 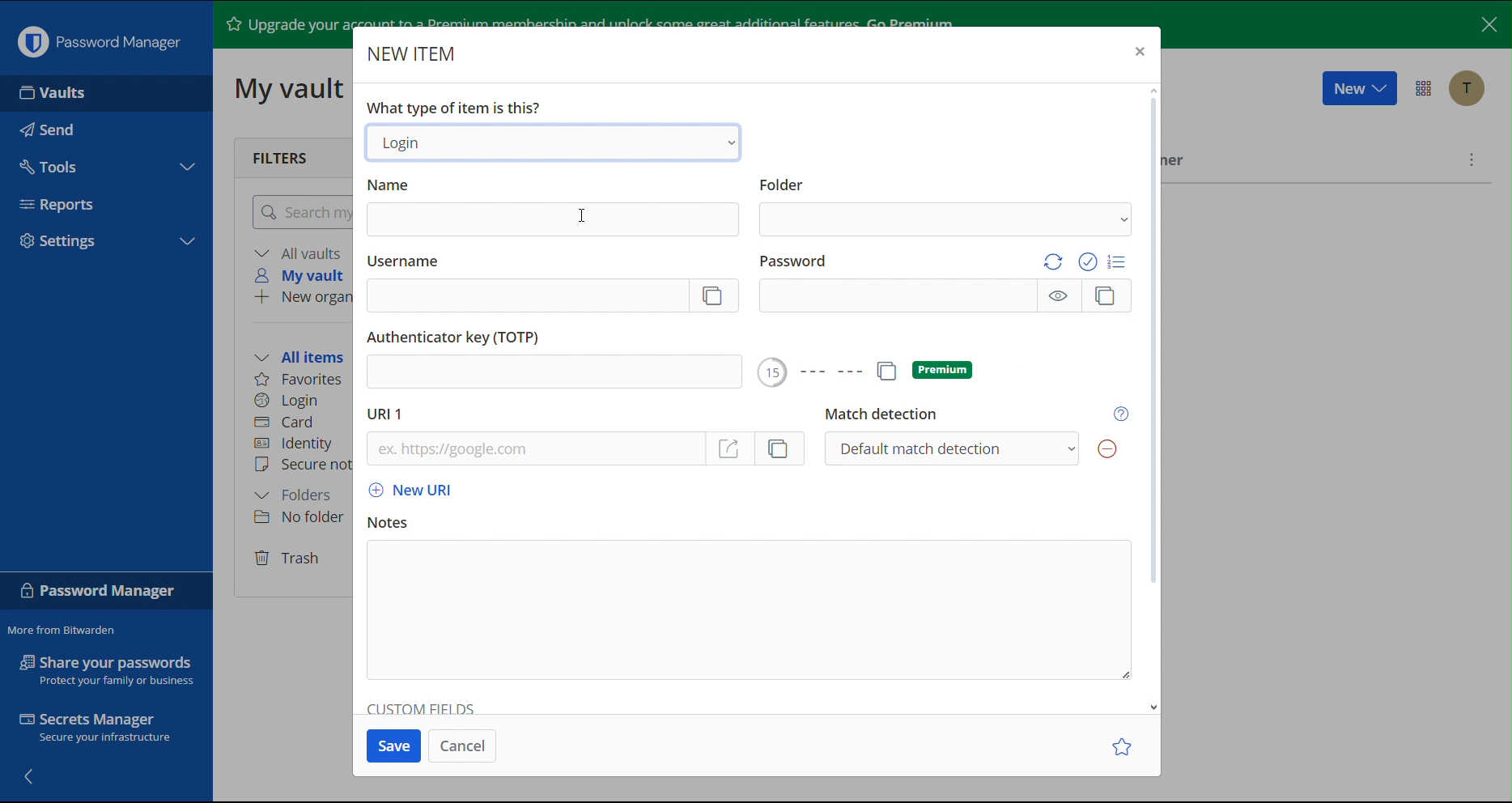 What do you see at coordinates (421, 489) in the screenshot?
I see `New URL` at bounding box center [421, 489].